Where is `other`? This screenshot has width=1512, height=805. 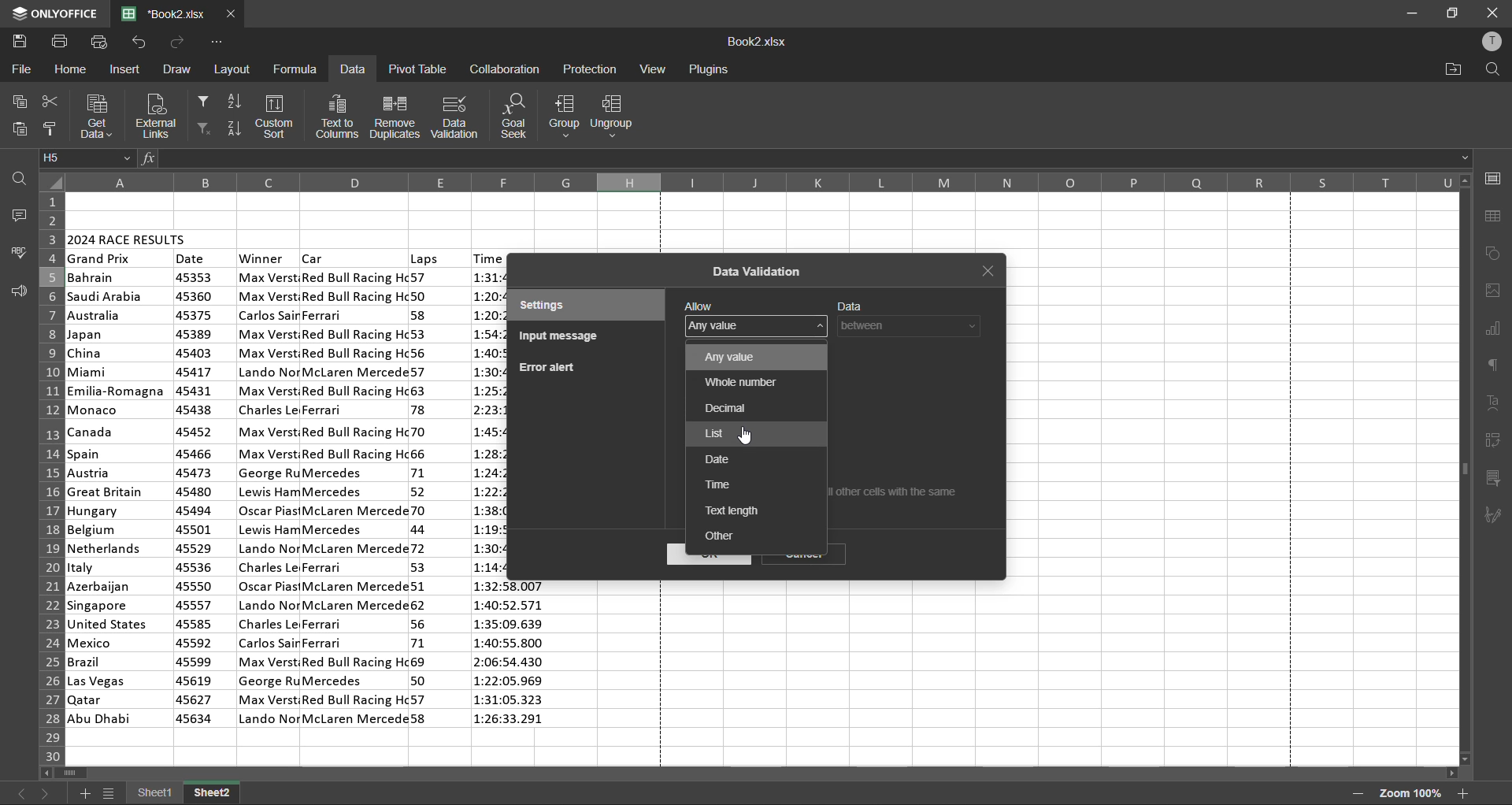 other is located at coordinates (725, 535).